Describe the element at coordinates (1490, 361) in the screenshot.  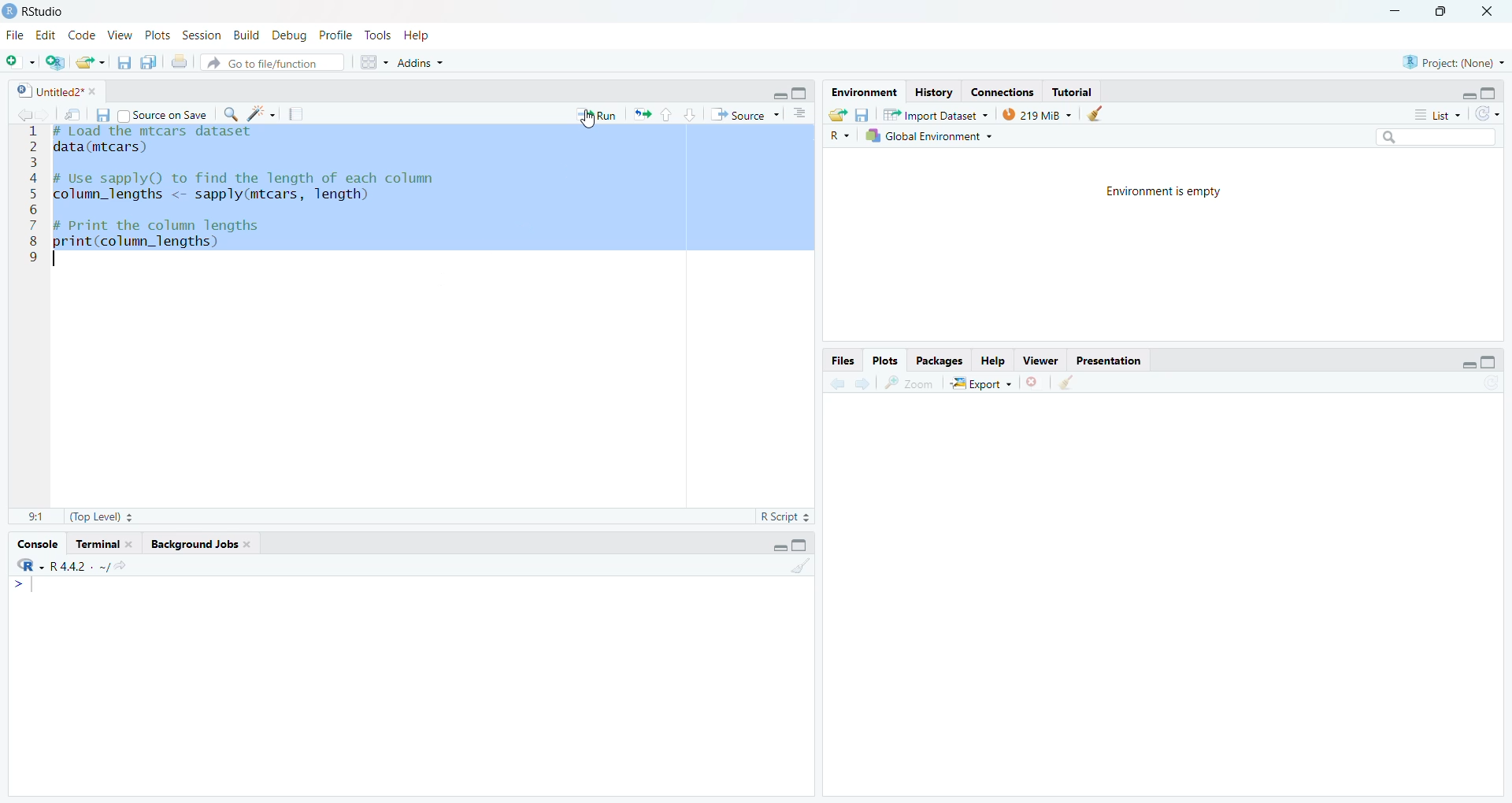
I see `Full Height` at that location.